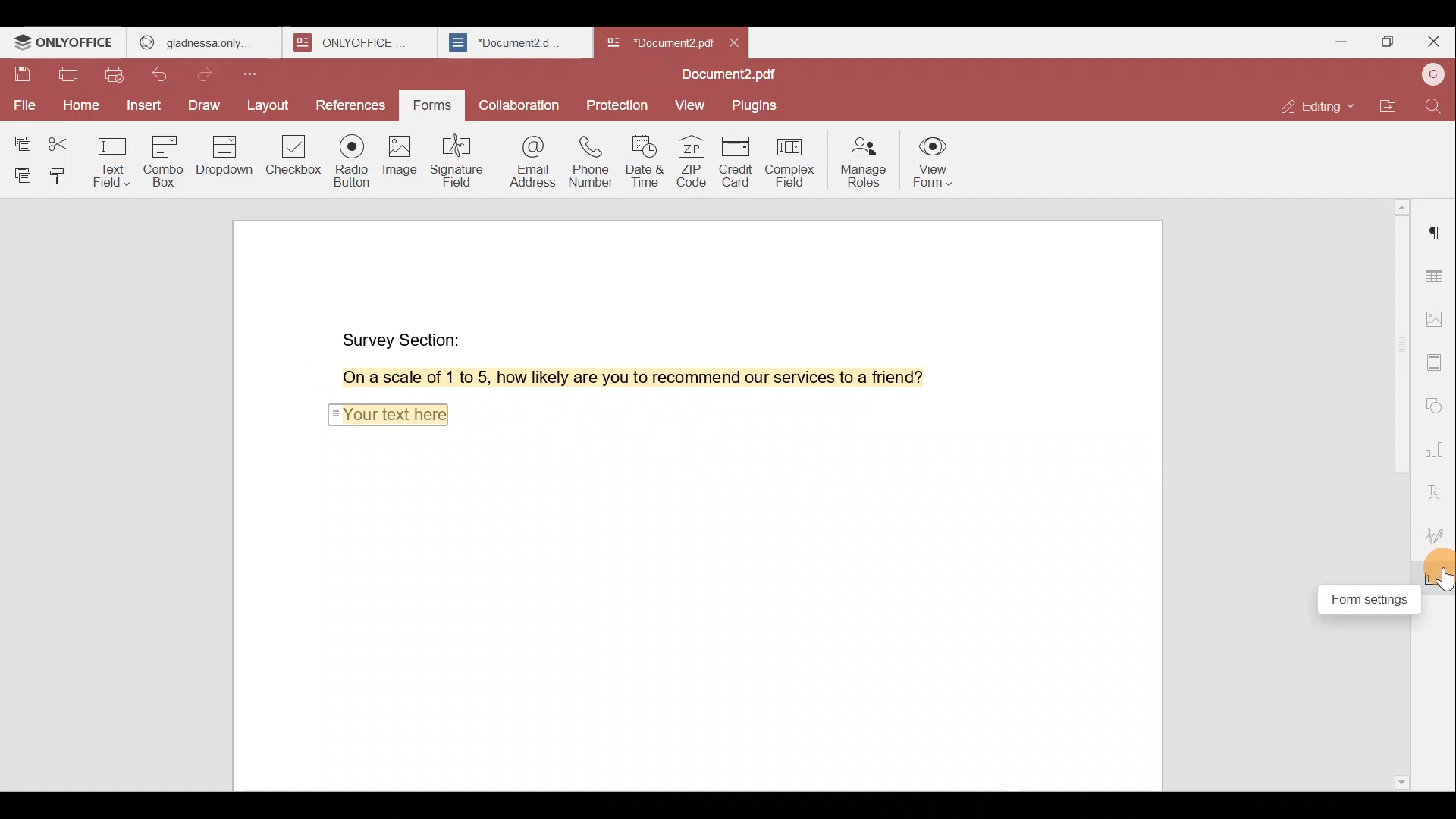 The image size is (1456, 819). What do you see at coordinates (22, 78) in the screenshot?
I see `Save` at bounding box center [22, 78].